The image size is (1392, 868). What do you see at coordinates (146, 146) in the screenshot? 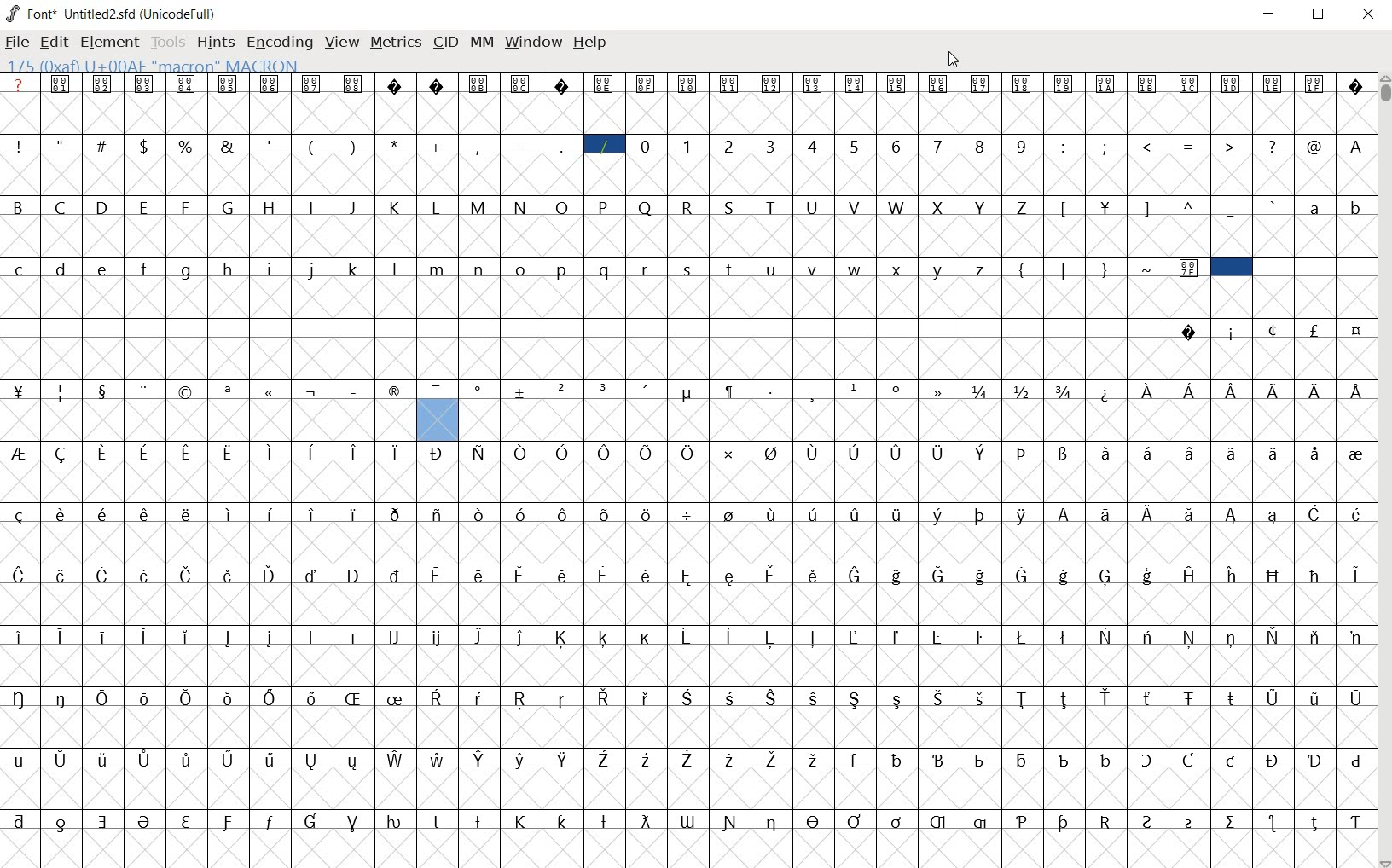
I see `$` at bounding box center [146, 146].